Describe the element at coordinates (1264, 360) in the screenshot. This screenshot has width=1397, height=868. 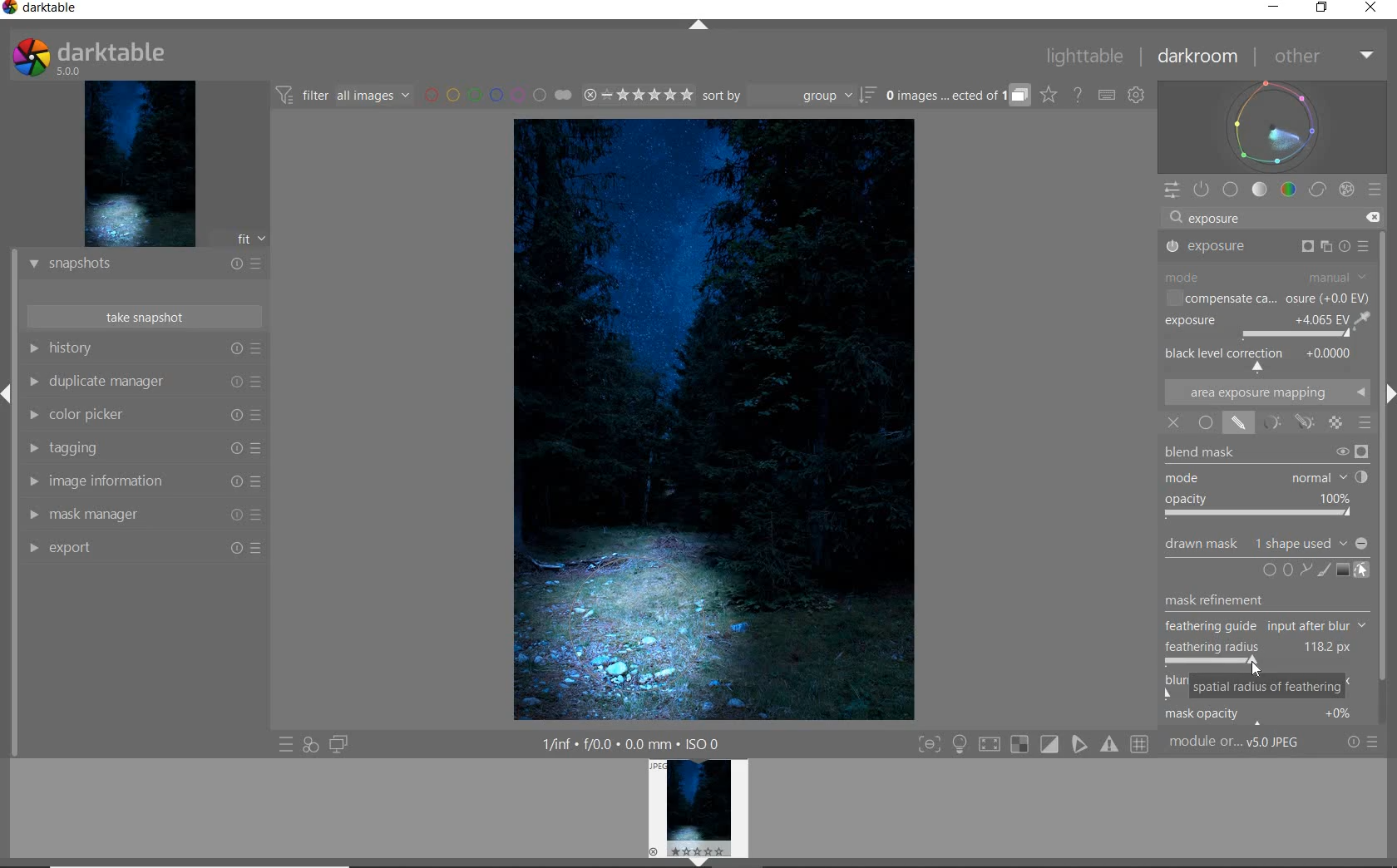
I see `BACK LEVEL CORRECTION` at that location.